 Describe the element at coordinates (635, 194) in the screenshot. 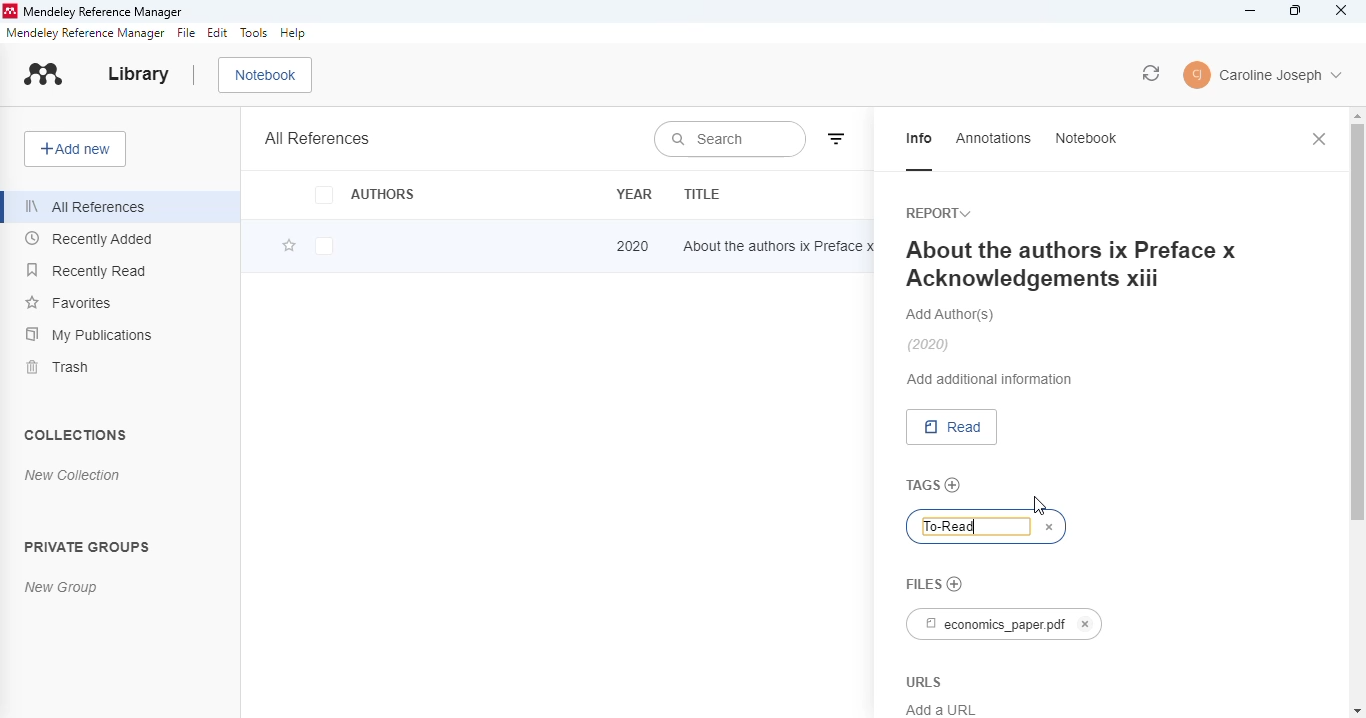

I see `year` at that location.